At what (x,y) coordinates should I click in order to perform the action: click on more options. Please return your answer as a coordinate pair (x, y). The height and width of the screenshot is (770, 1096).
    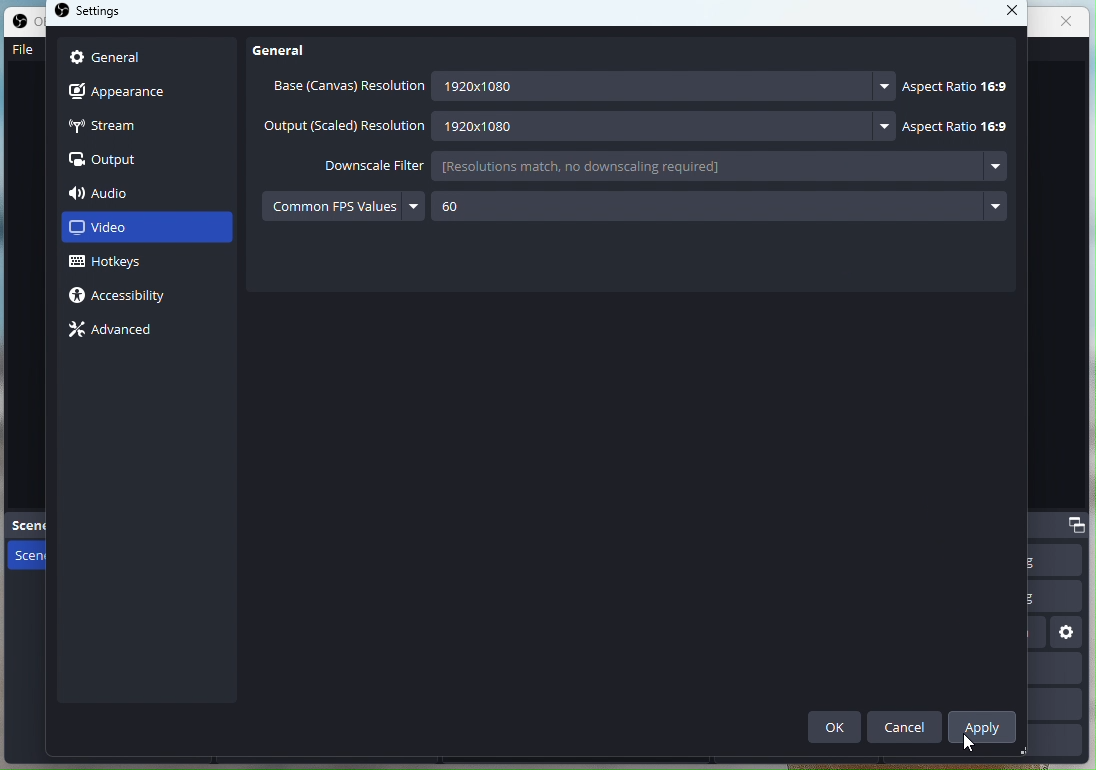
    Looking at the image, I should click on (996, 212).